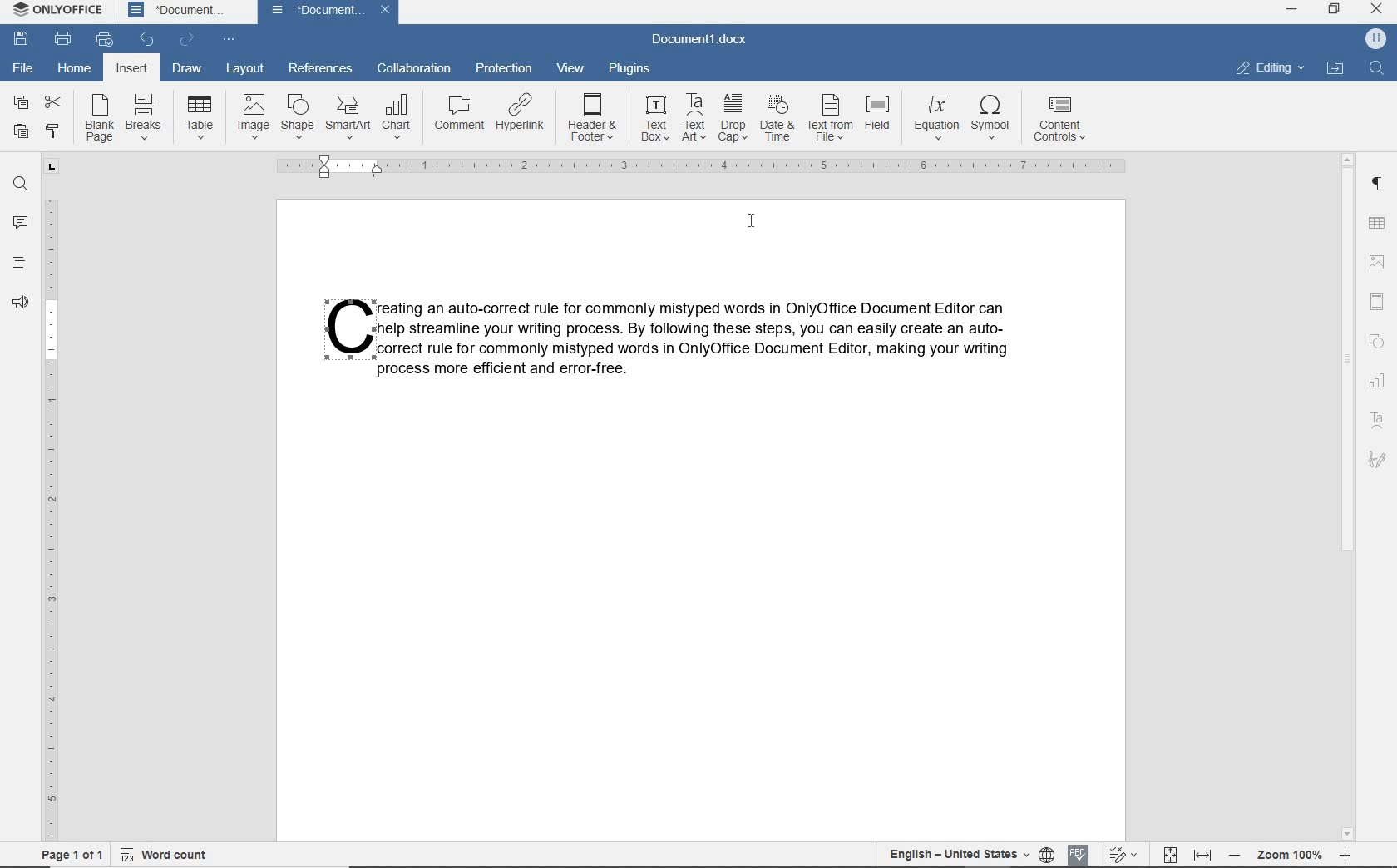 This screenshot has width=1397, height=868. I want to click on document name, so click(328, 12).